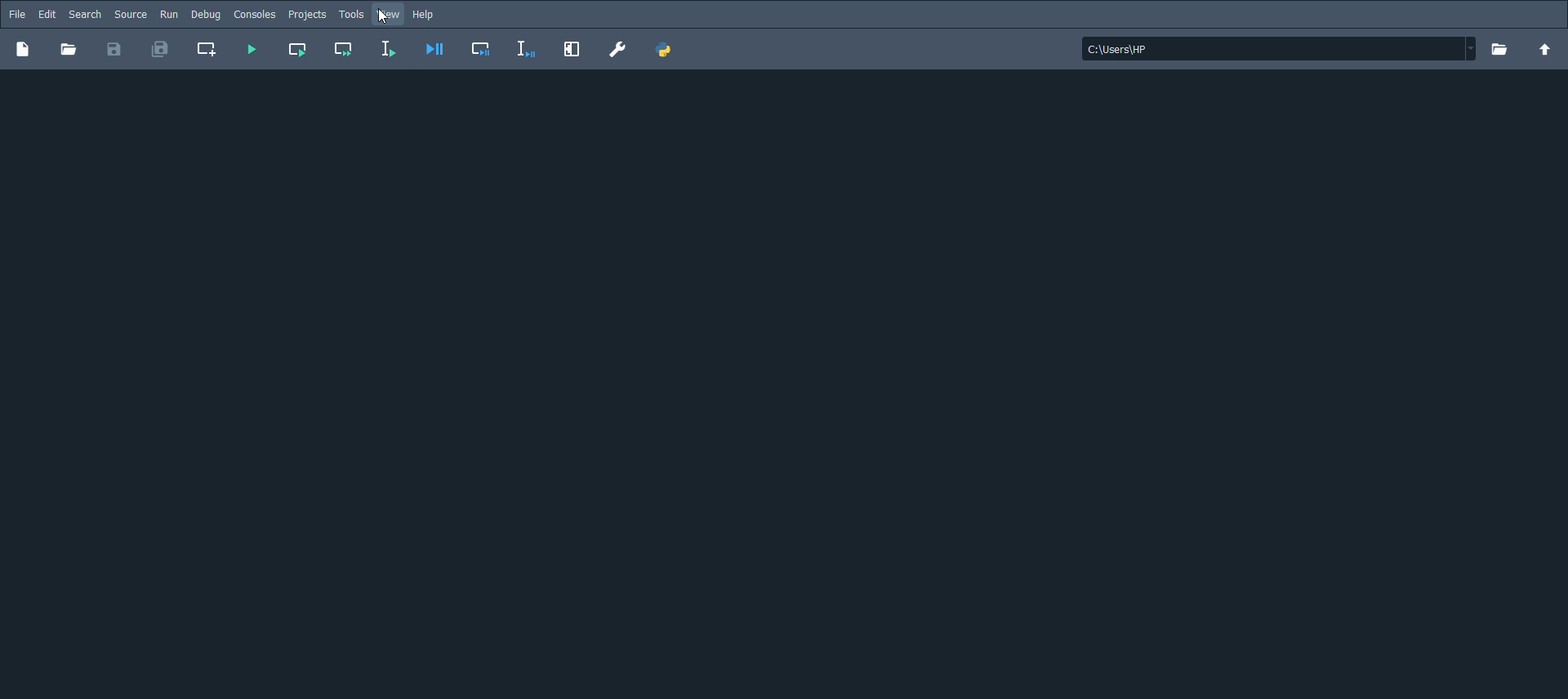  Describe the element at coordinates (307, 15) in the screenshot. I see `Projects` at that location.